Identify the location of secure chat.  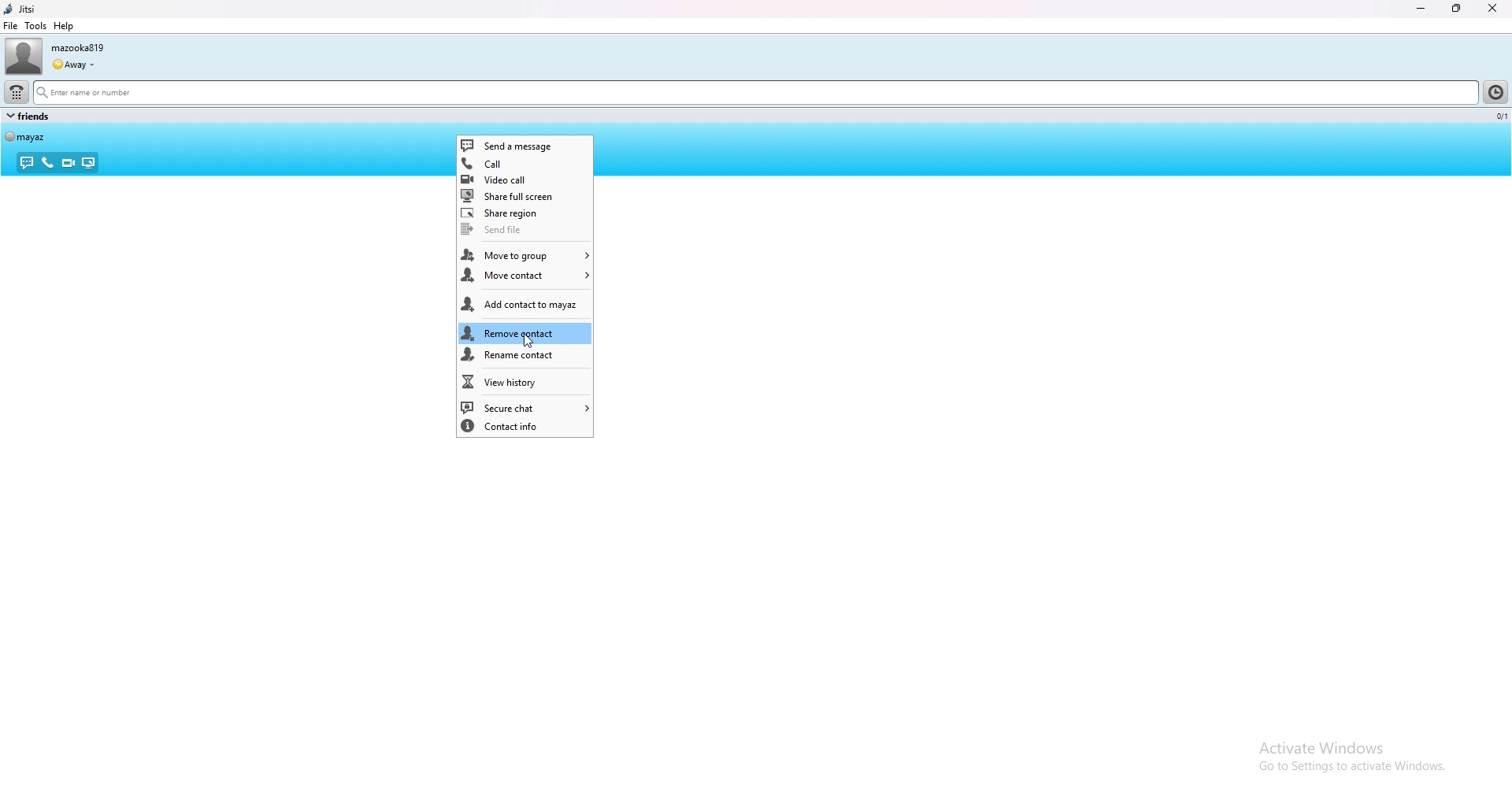
(525, 407).